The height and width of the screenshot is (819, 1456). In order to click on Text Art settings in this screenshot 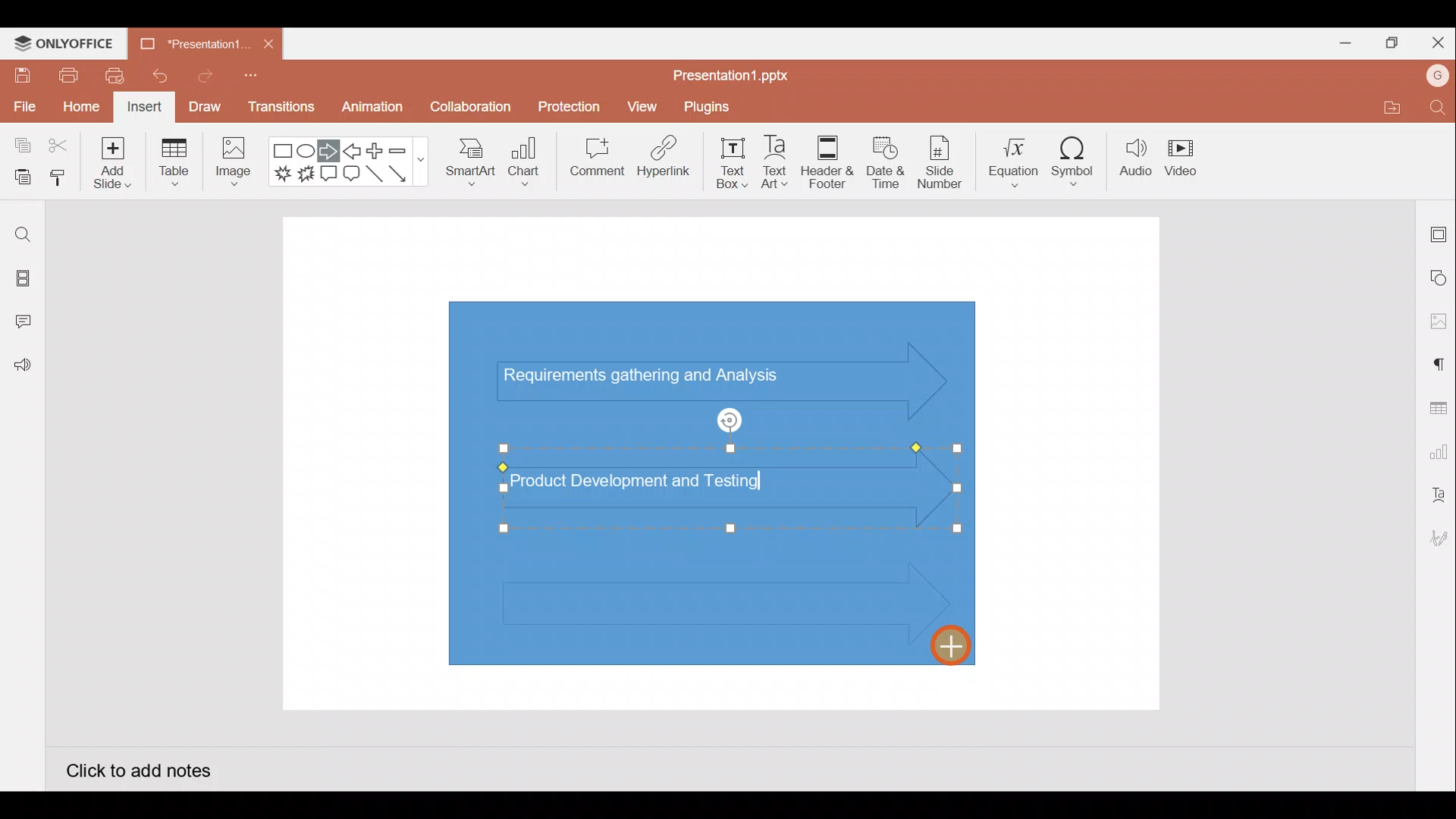, I will do `click(1437, 495)`.